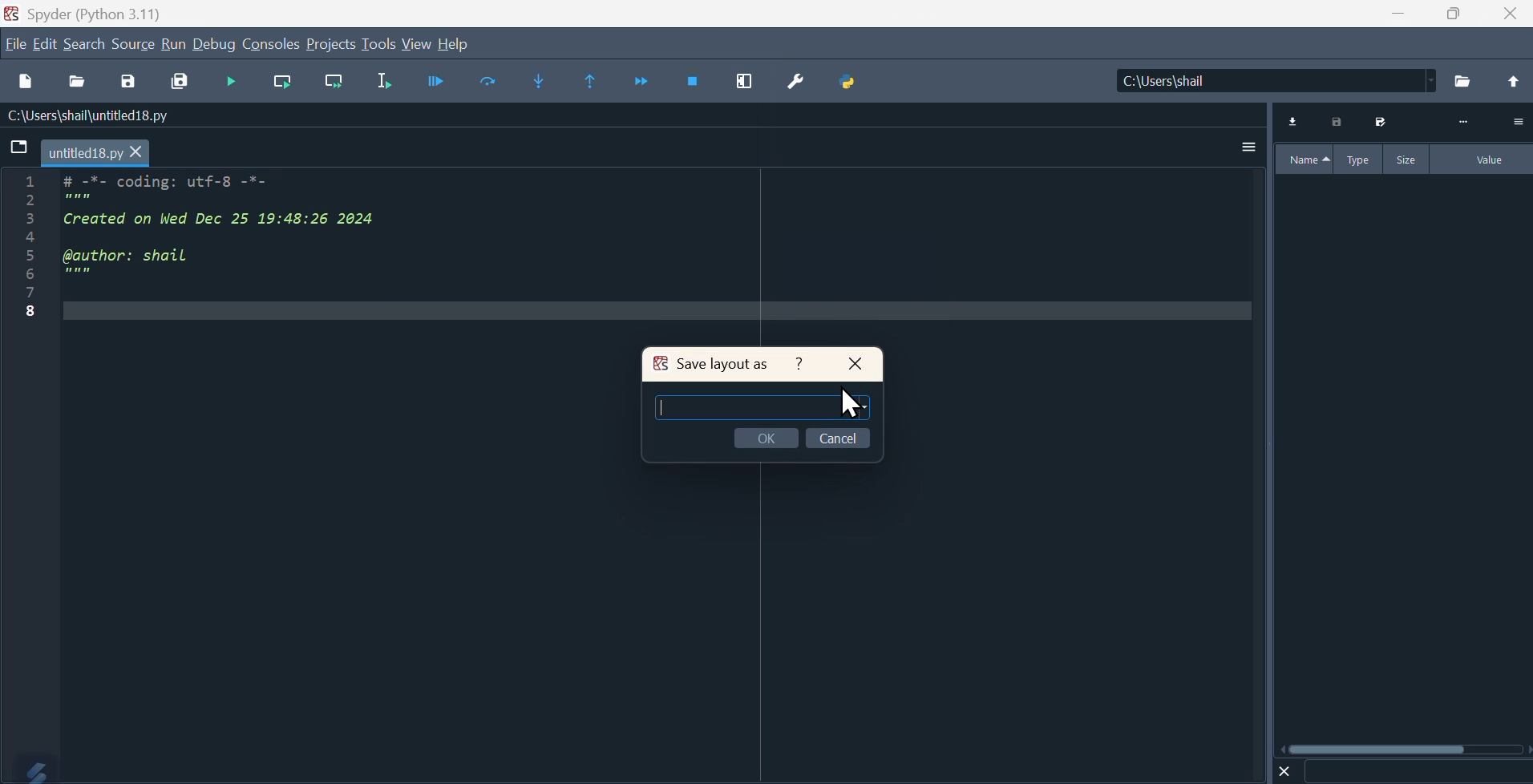 The image size is (1533, 784). Describe the element at coordinates (839, 438) in the screenshot. I see `Cancel` at that location.